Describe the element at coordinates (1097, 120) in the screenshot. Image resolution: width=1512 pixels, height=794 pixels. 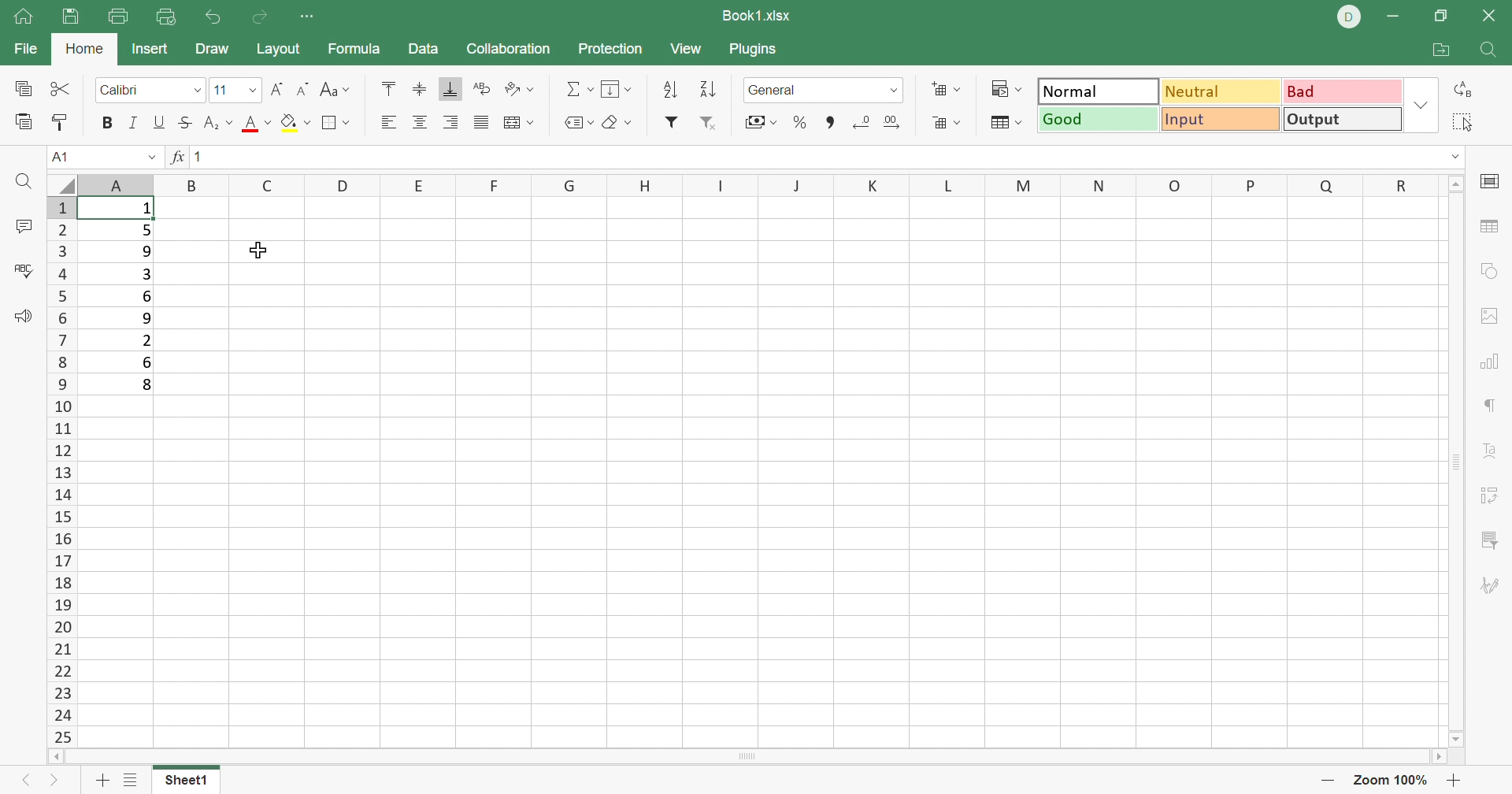
I see `Good` at that location.